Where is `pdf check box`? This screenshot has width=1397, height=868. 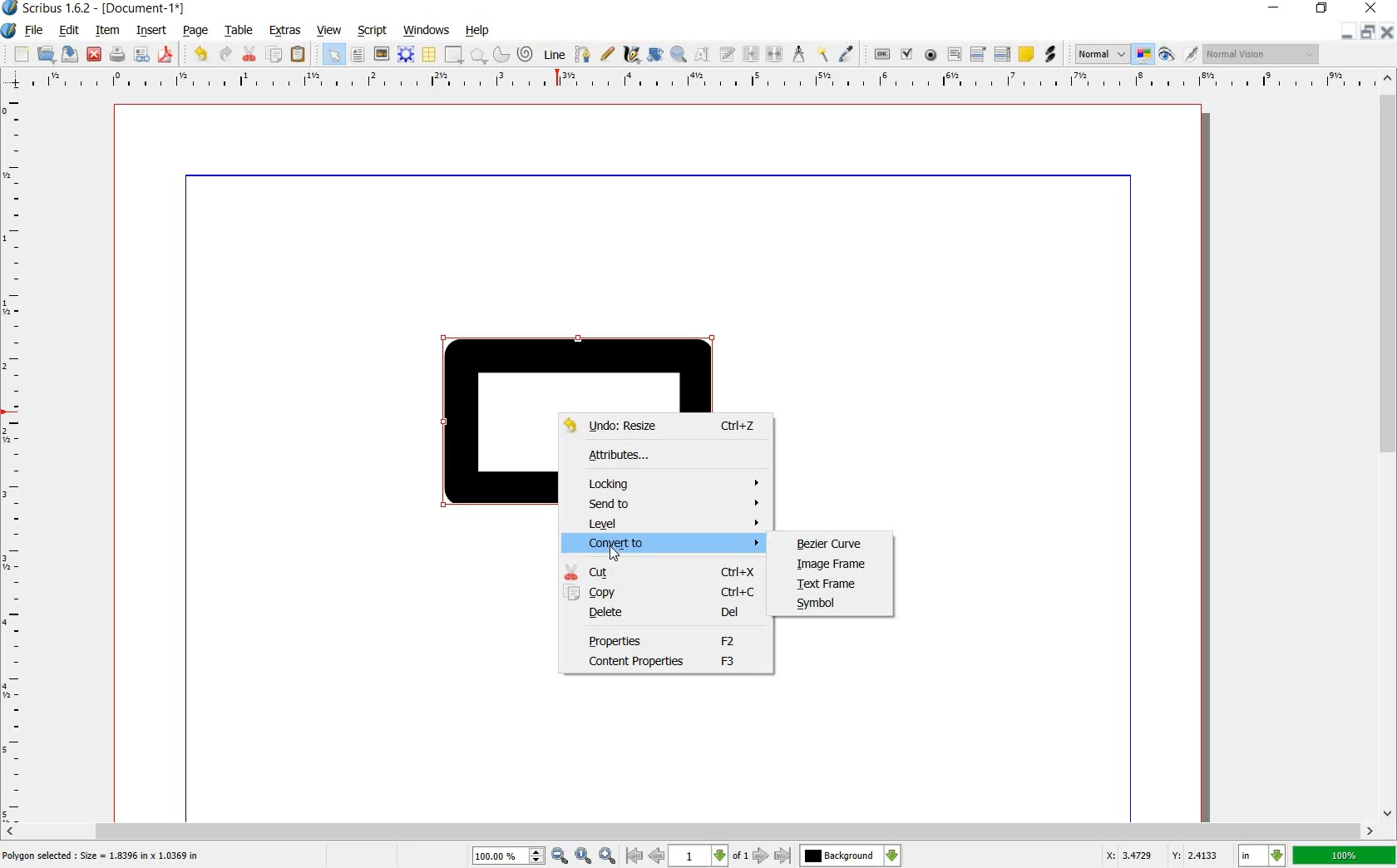 pdf check box is located at coordinates (907, 55).